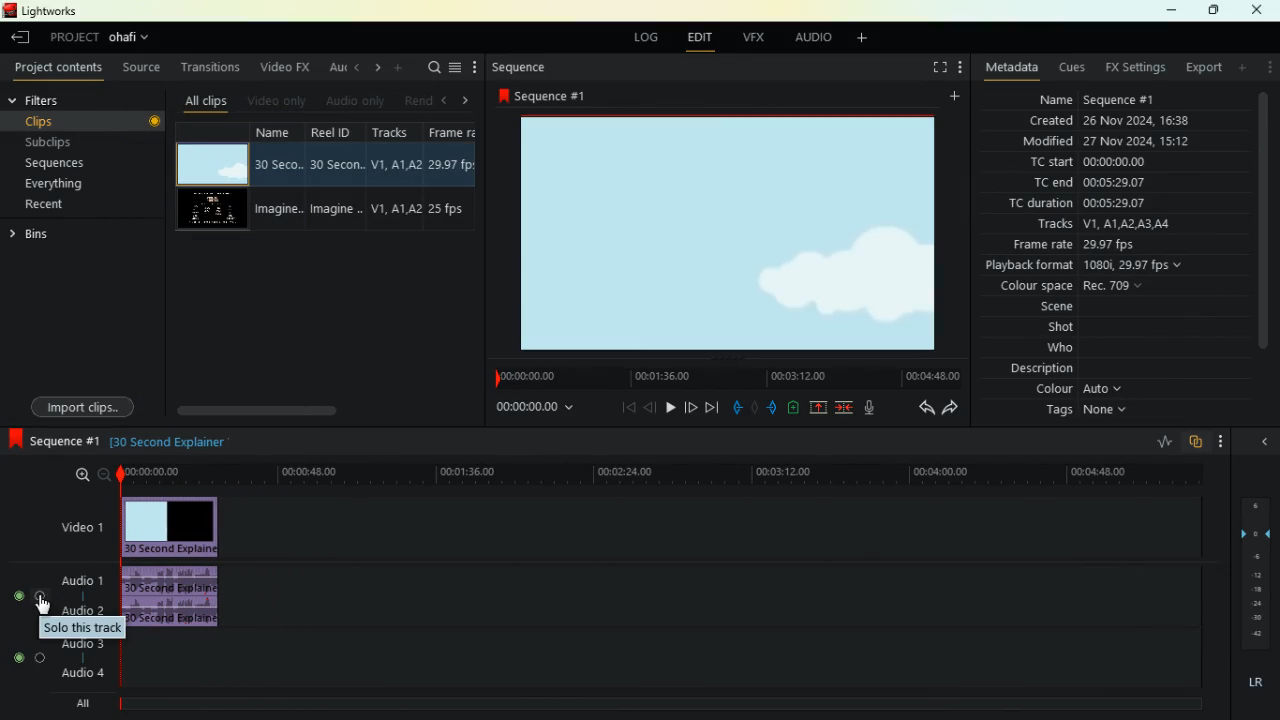 The height and width of the screenshot is (720, 1280). Describe the element at coordinates (283, 101) in the screenshot. I see `video only` at that location.